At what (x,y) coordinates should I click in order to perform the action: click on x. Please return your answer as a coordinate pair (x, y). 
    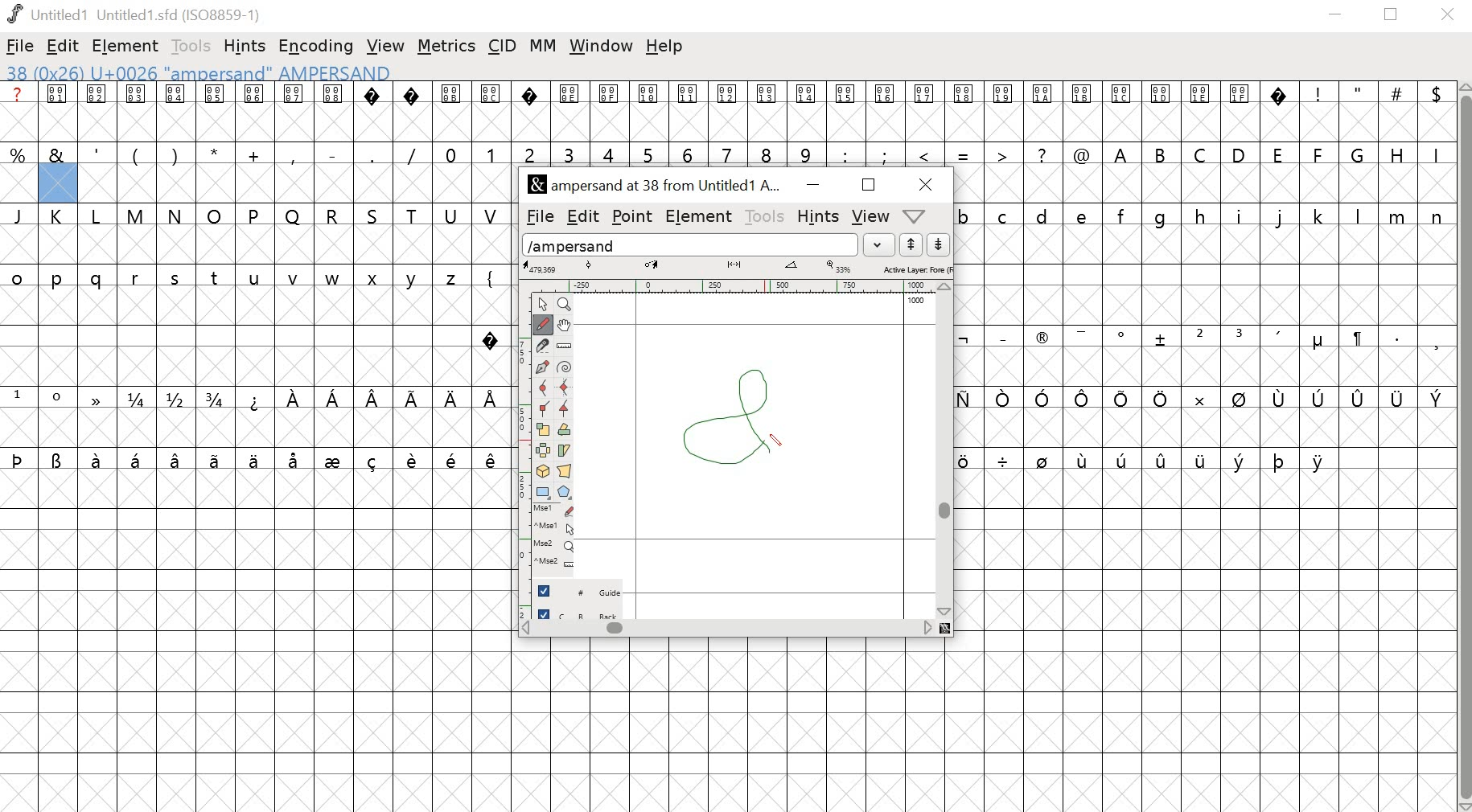
    Looking at the image, I should click on (377, 279).